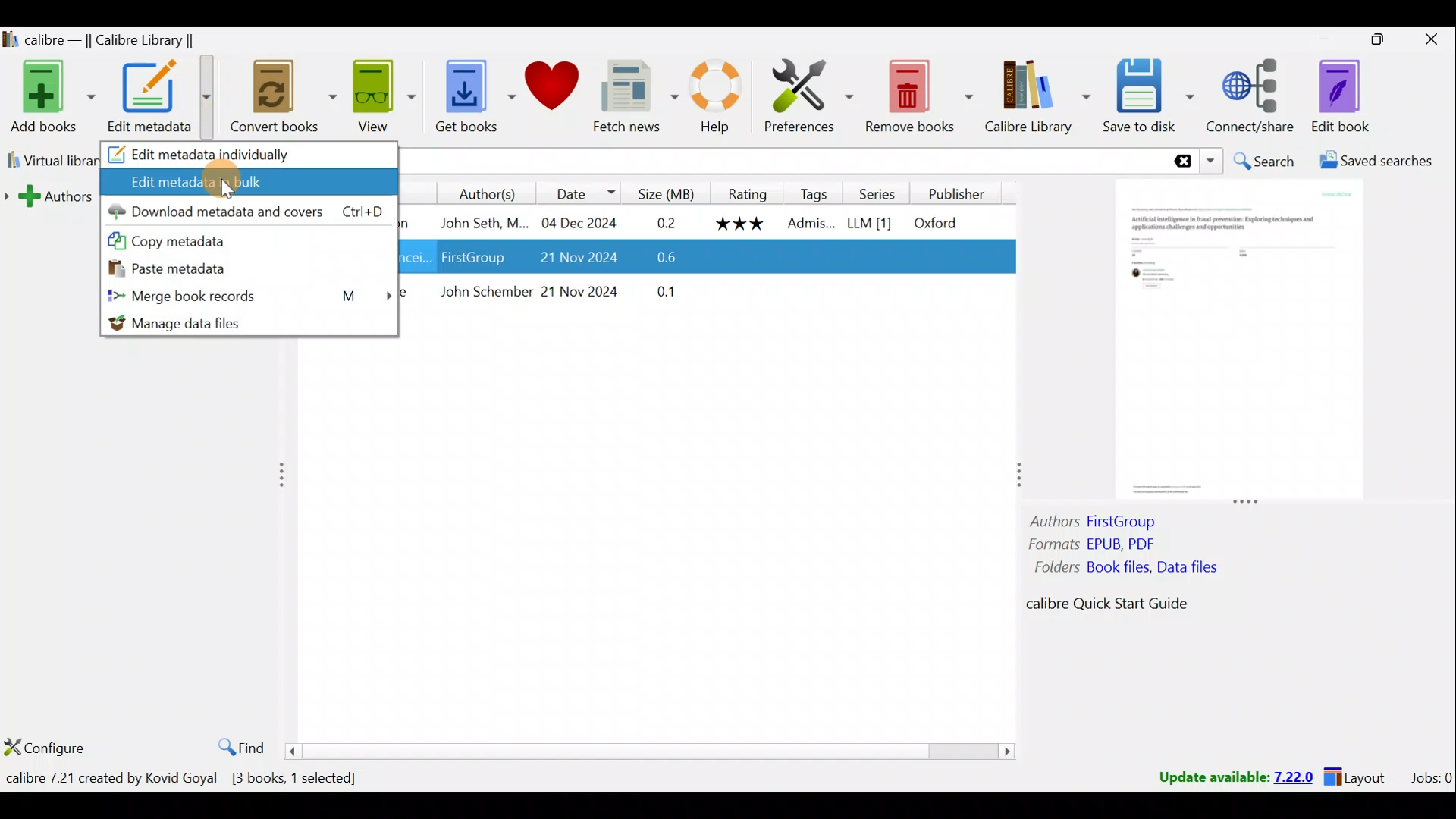 The image size is (1456, 819). What do you see at coordinates (251, 155) in the screenshot?
I see `Edit metadata individiually` at bounding box center [251, 155].